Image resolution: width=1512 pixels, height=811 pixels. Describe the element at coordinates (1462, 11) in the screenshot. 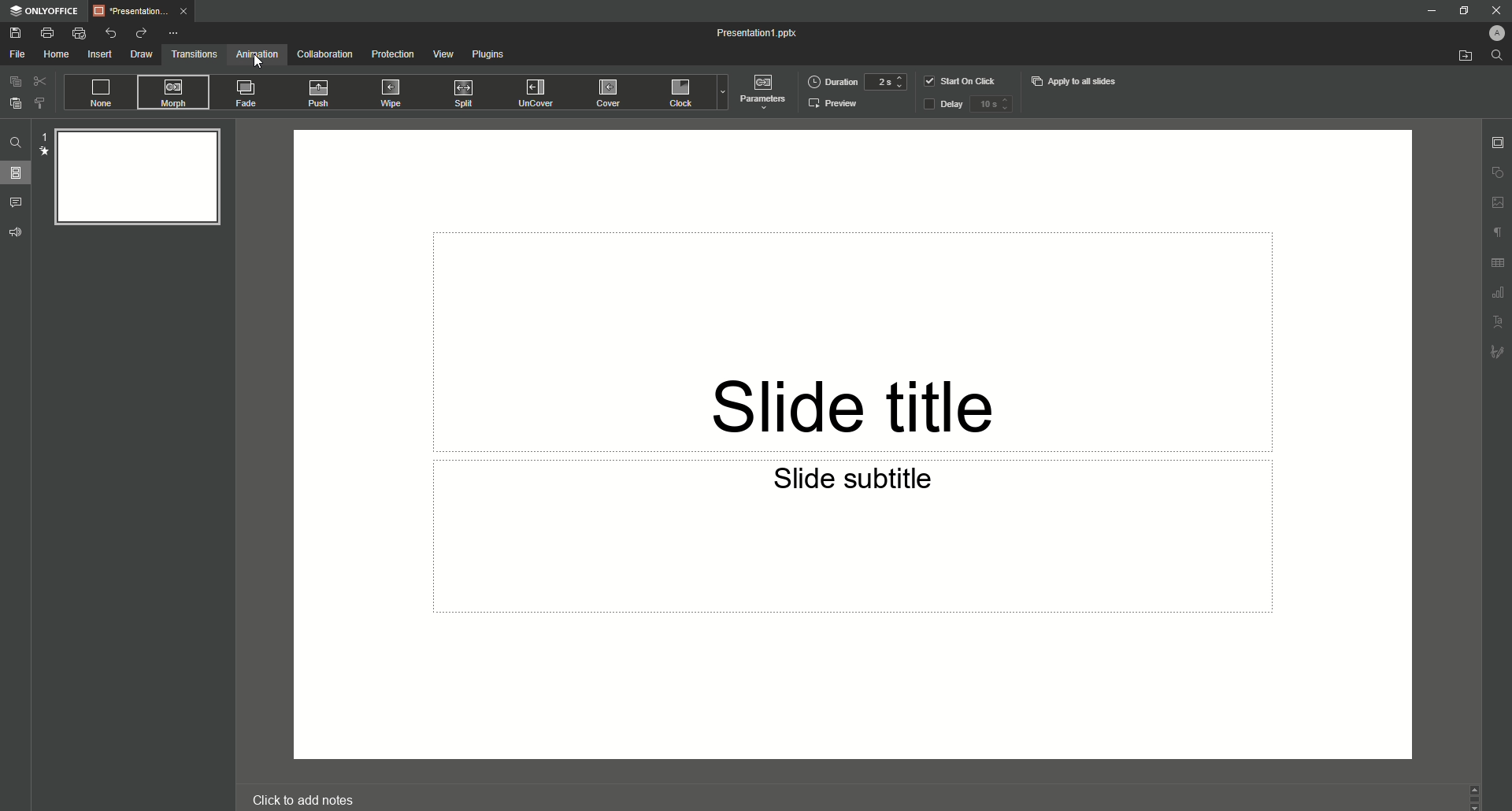

I see `Minimize` at that location.